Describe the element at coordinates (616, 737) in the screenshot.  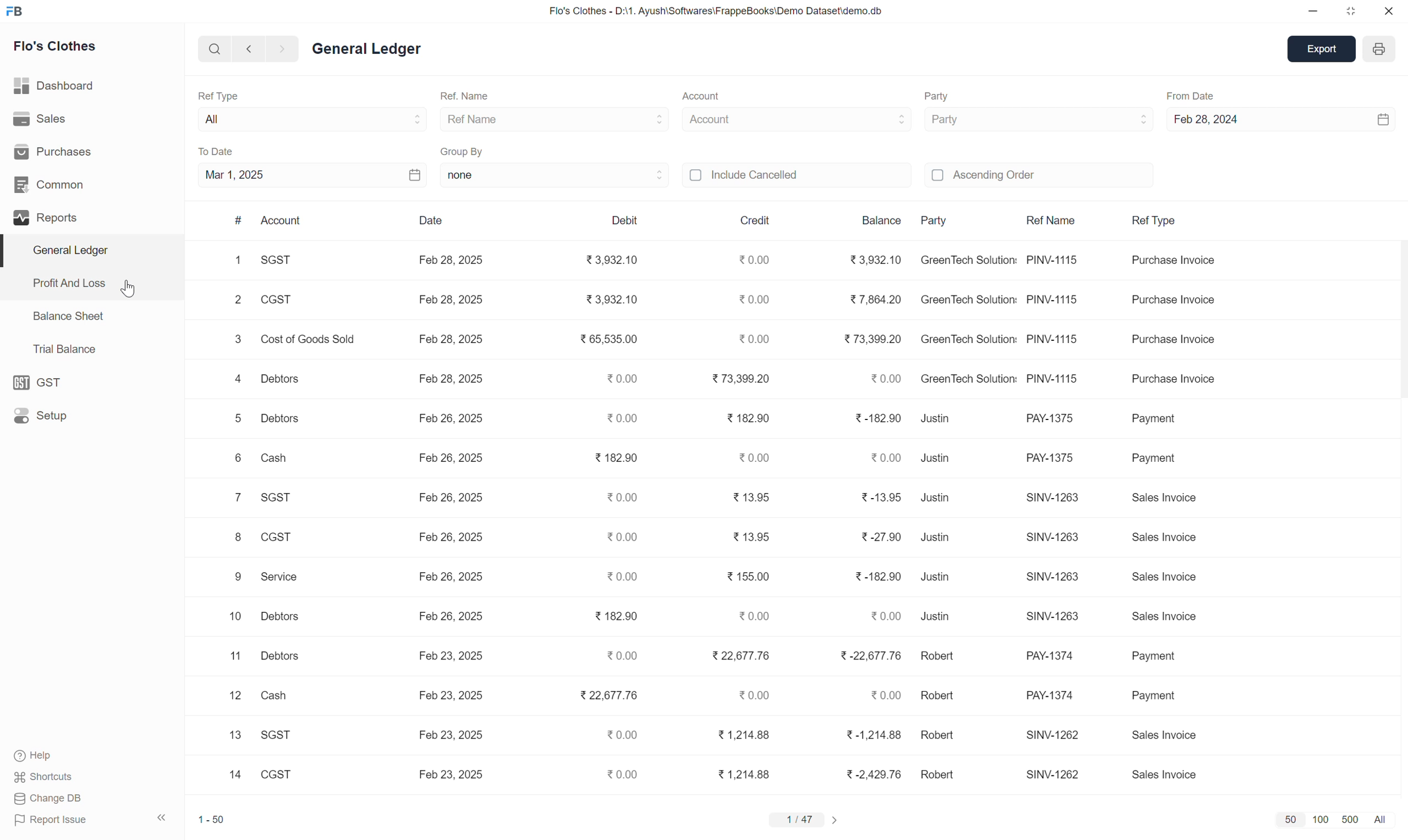
I see `₹0.00` at that location.